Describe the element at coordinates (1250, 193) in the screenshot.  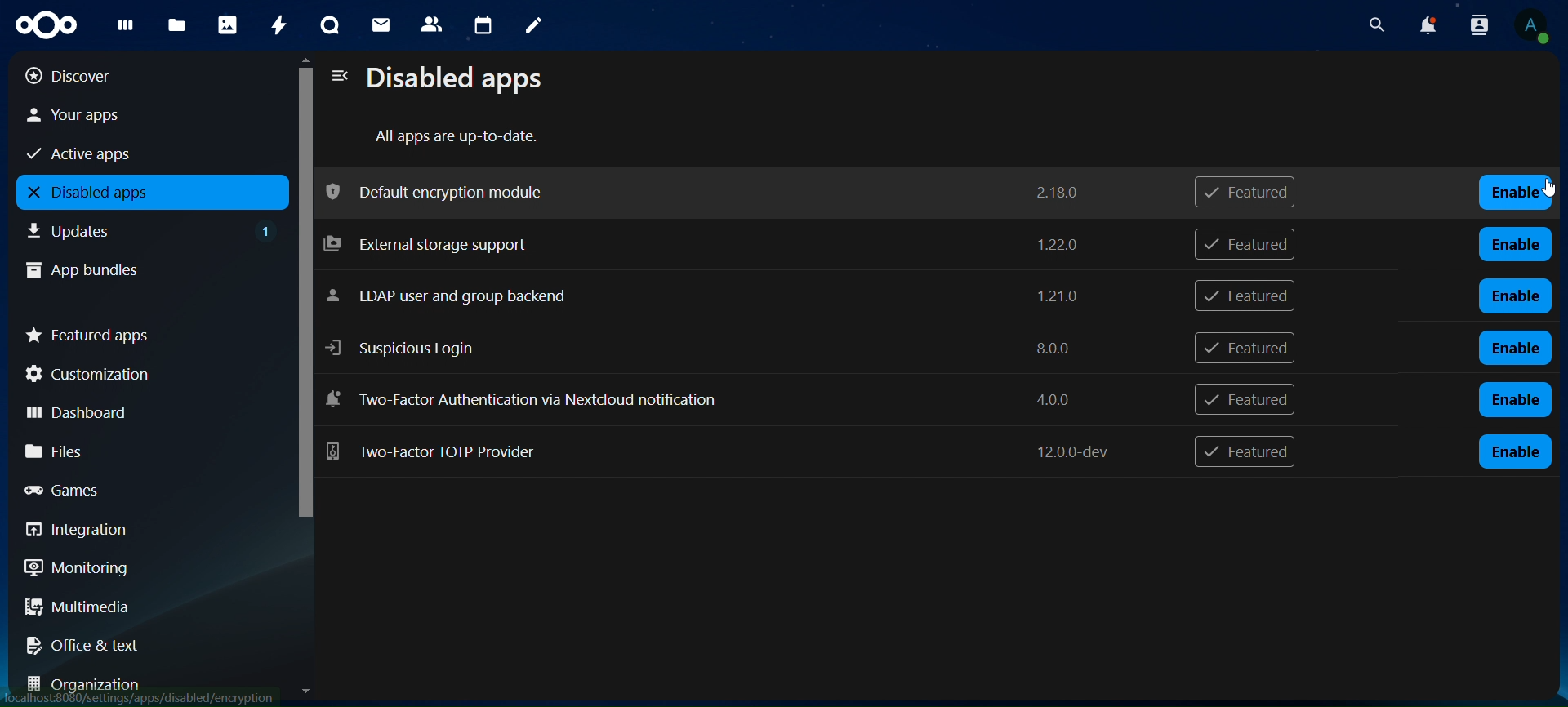
I see `featured` at that location.